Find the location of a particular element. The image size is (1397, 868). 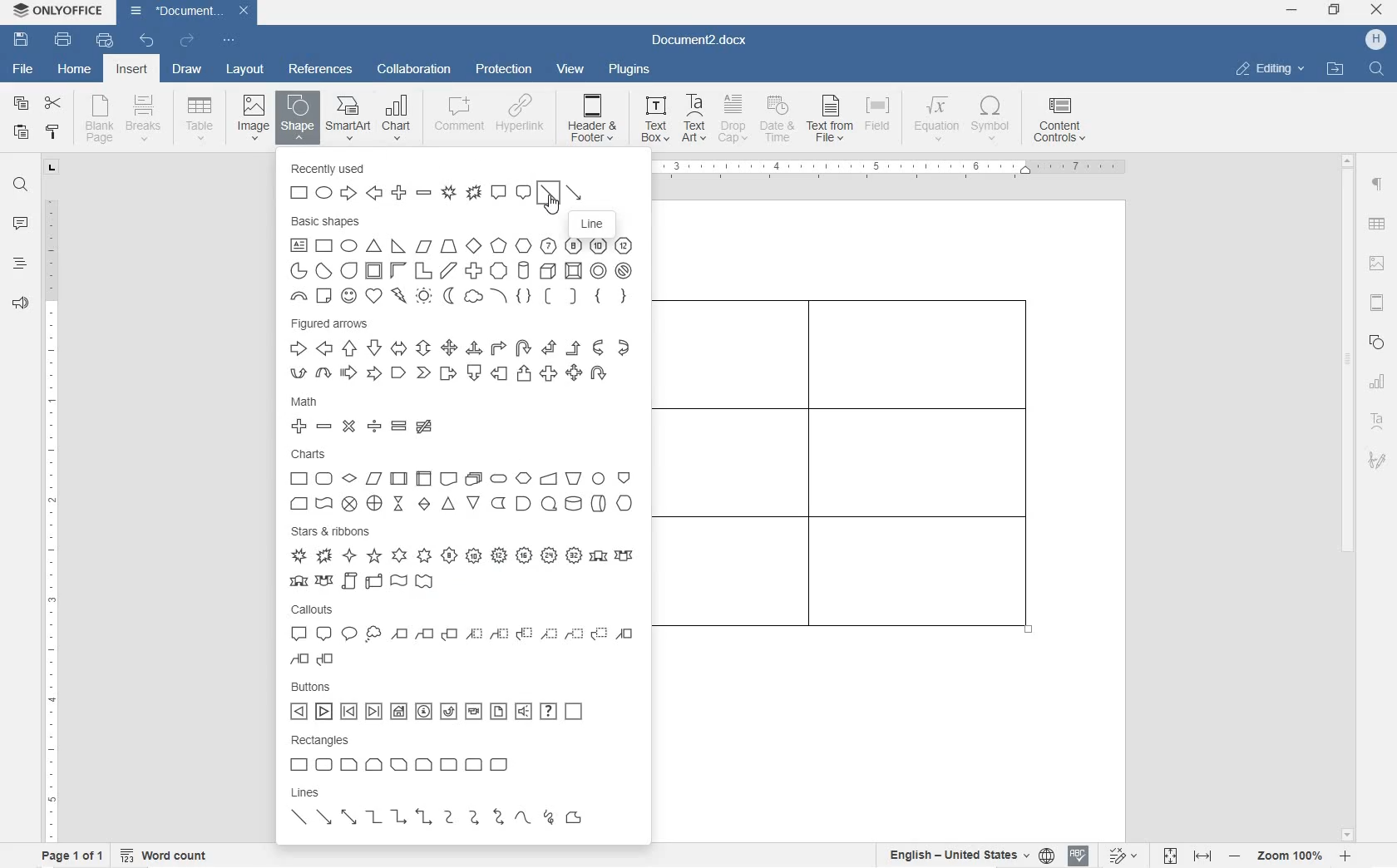

HEADER & OOTER is located at coordinates (593, 119).